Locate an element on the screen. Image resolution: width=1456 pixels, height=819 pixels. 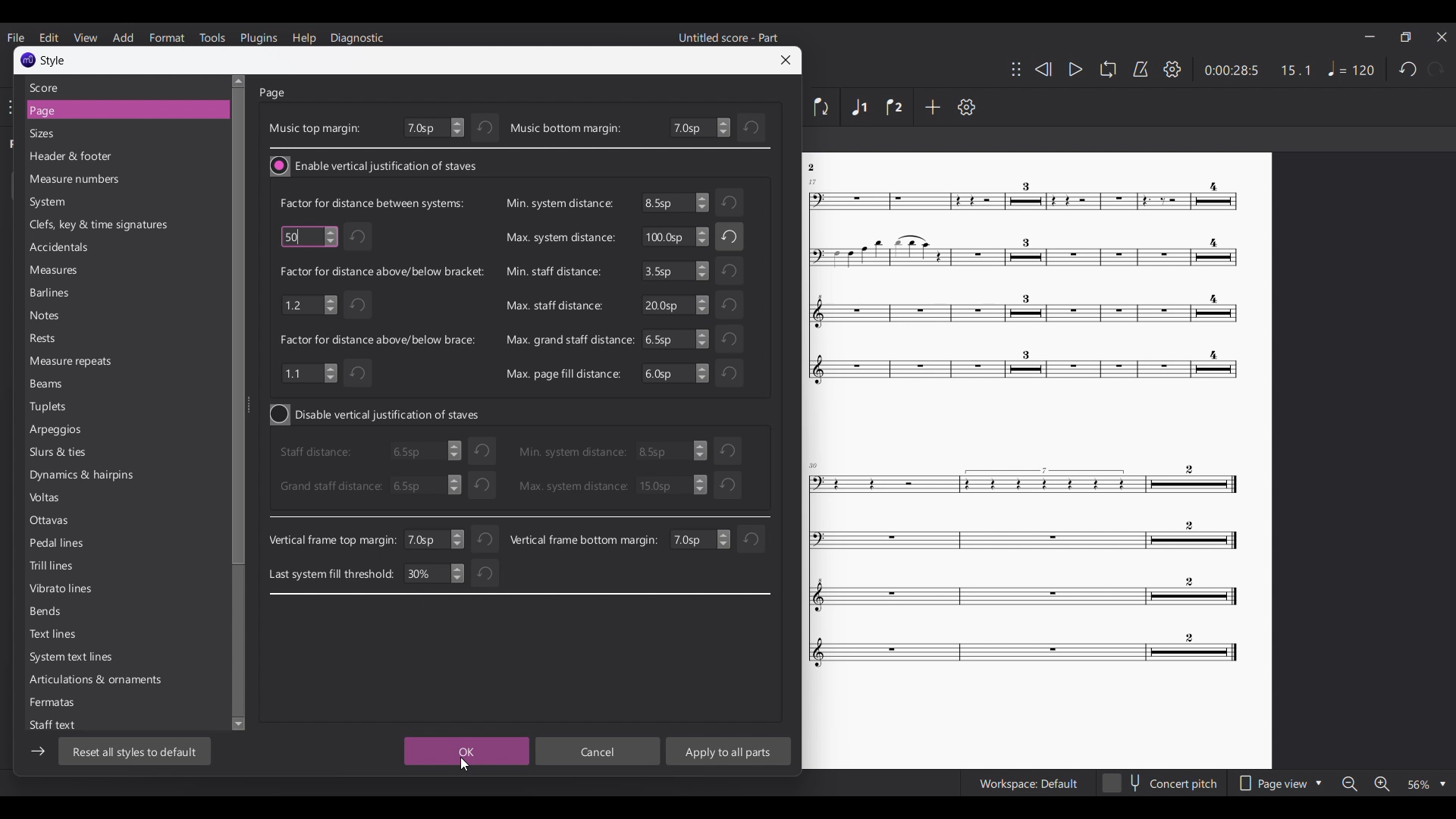
Undo is located at coordinates (731, 203).